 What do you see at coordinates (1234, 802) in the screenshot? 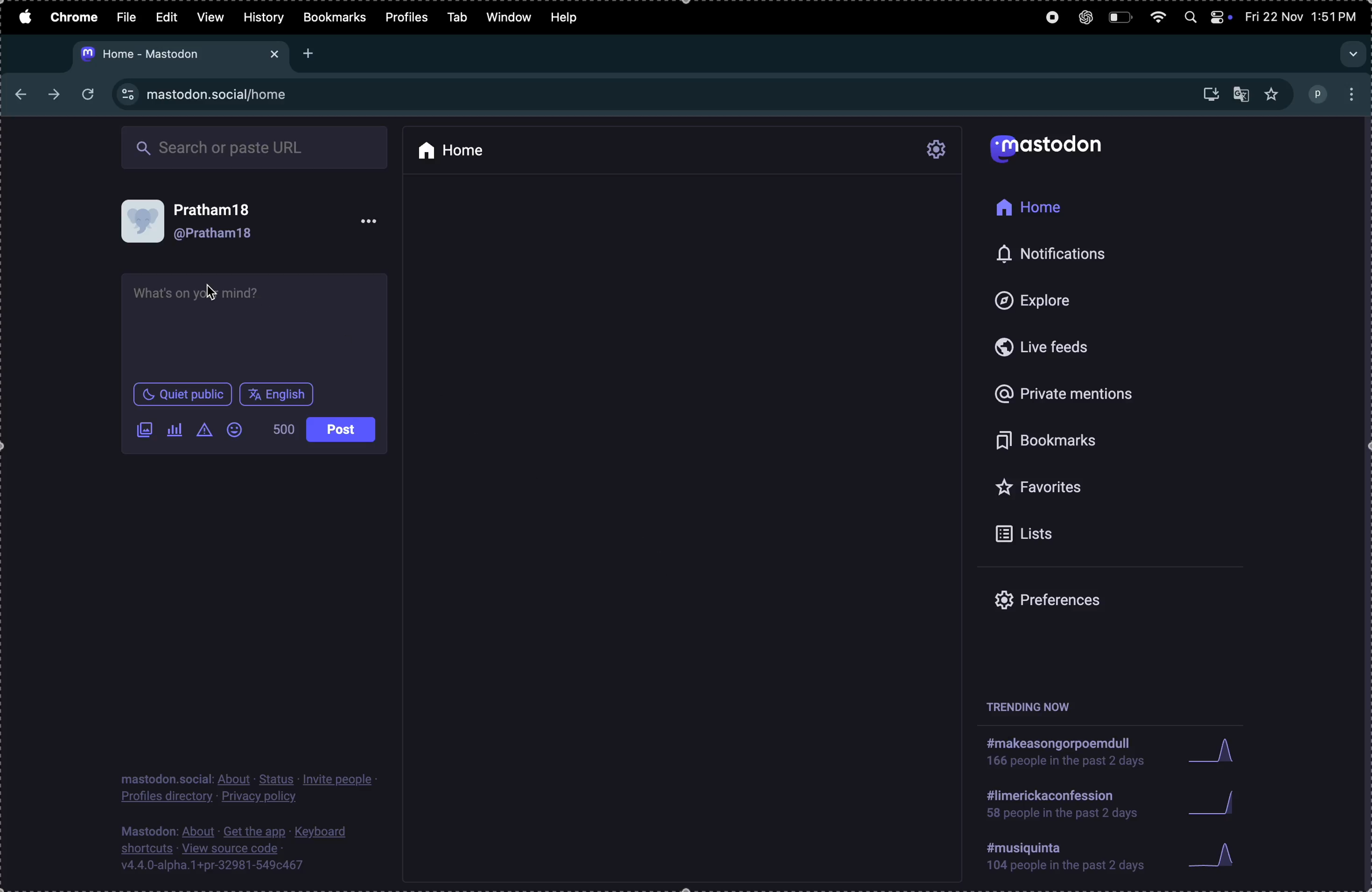
I see `graphs` at bounding box center [1234, 802].